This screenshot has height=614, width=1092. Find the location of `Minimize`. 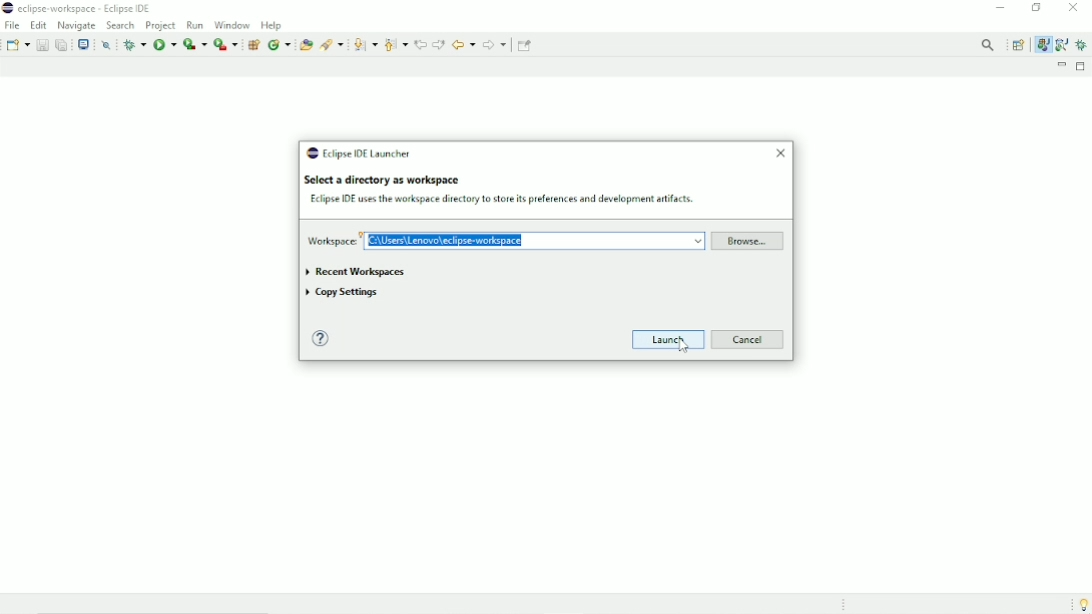

Minimize is located at coordinates (1000, 9).